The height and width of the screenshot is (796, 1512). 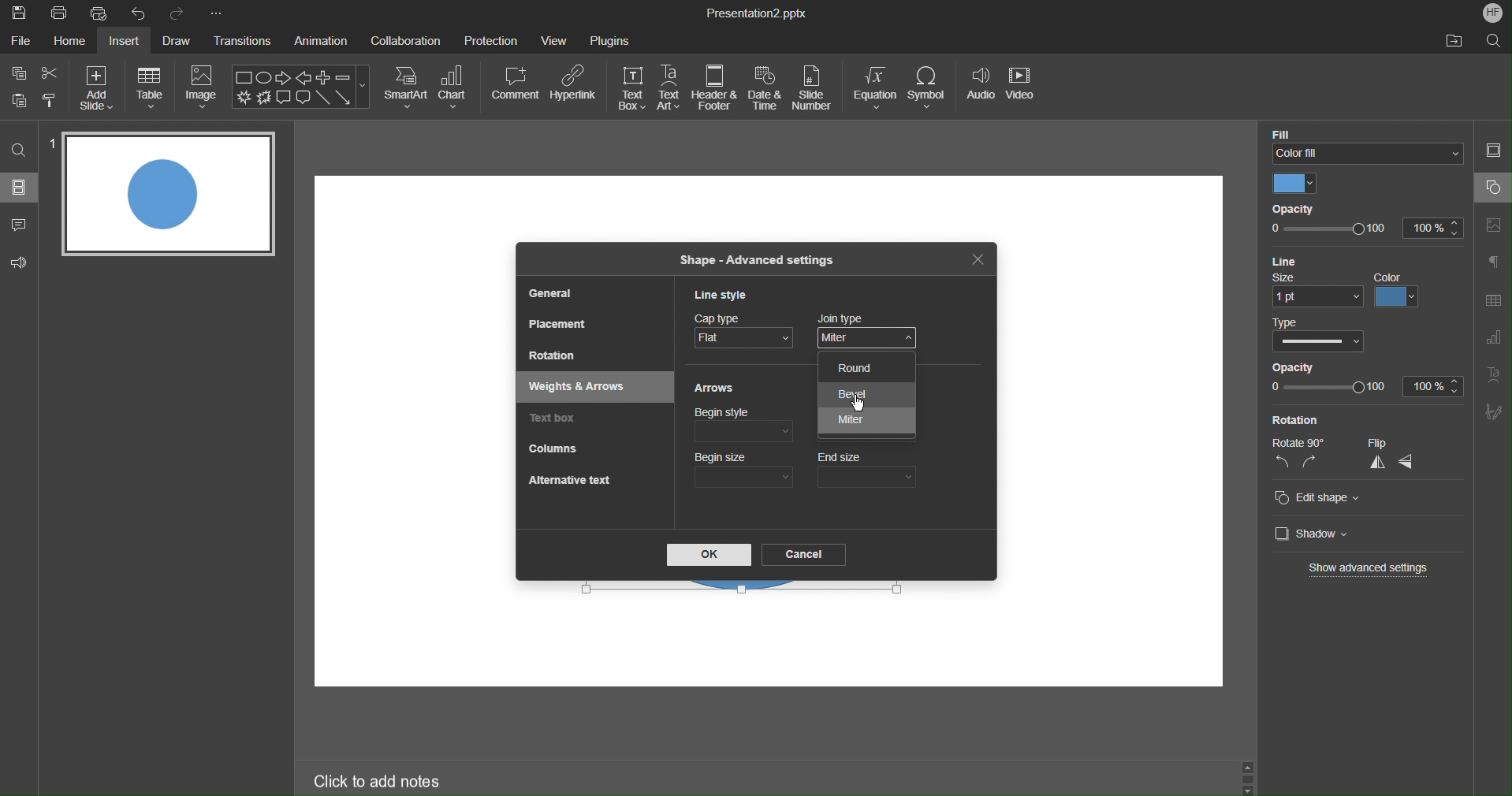 I want to click on Shape Settings, so click(x=1492, y=188).